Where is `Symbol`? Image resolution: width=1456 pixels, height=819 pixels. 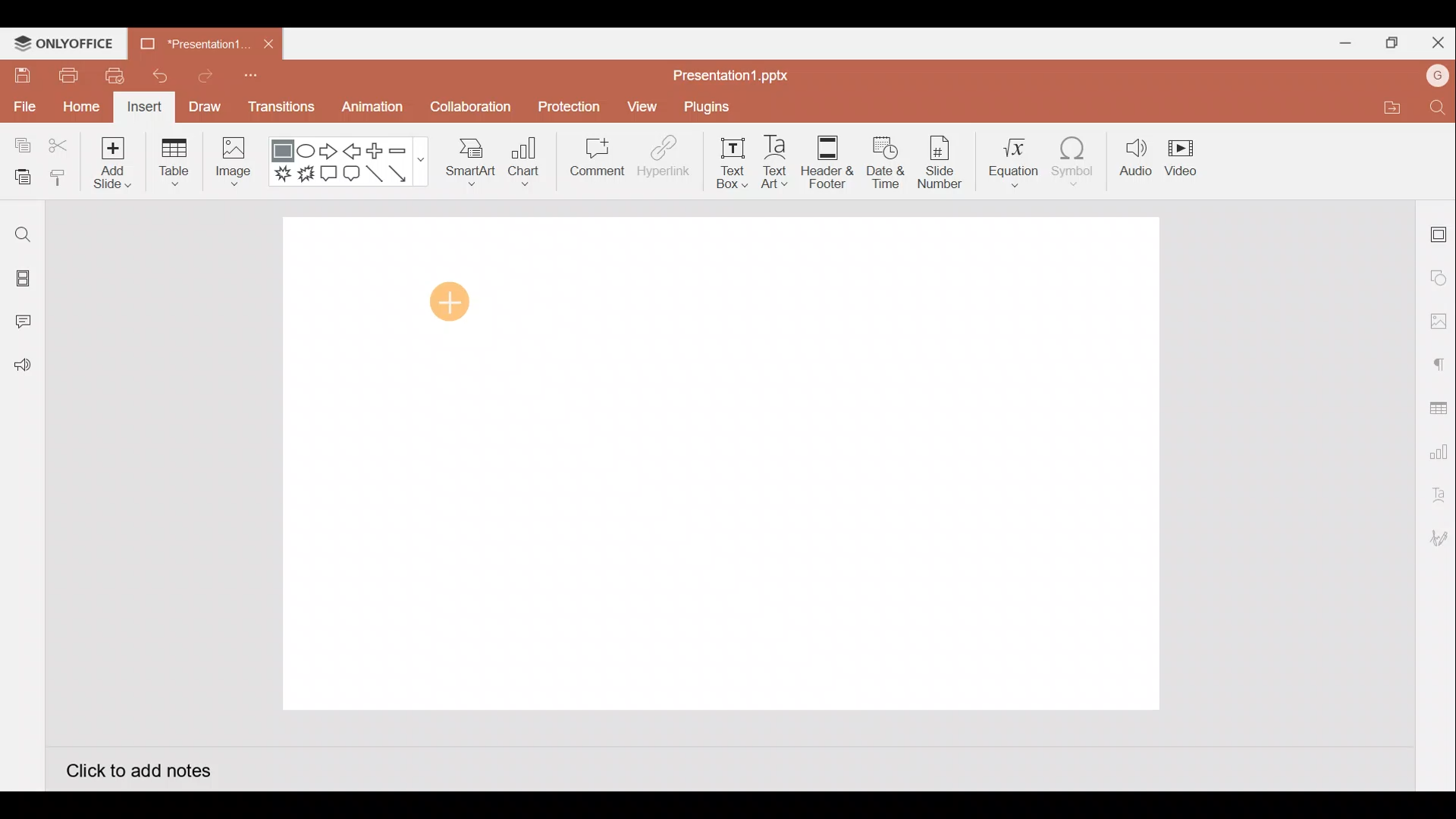
Symbol is located at coordinates (1074, 158).